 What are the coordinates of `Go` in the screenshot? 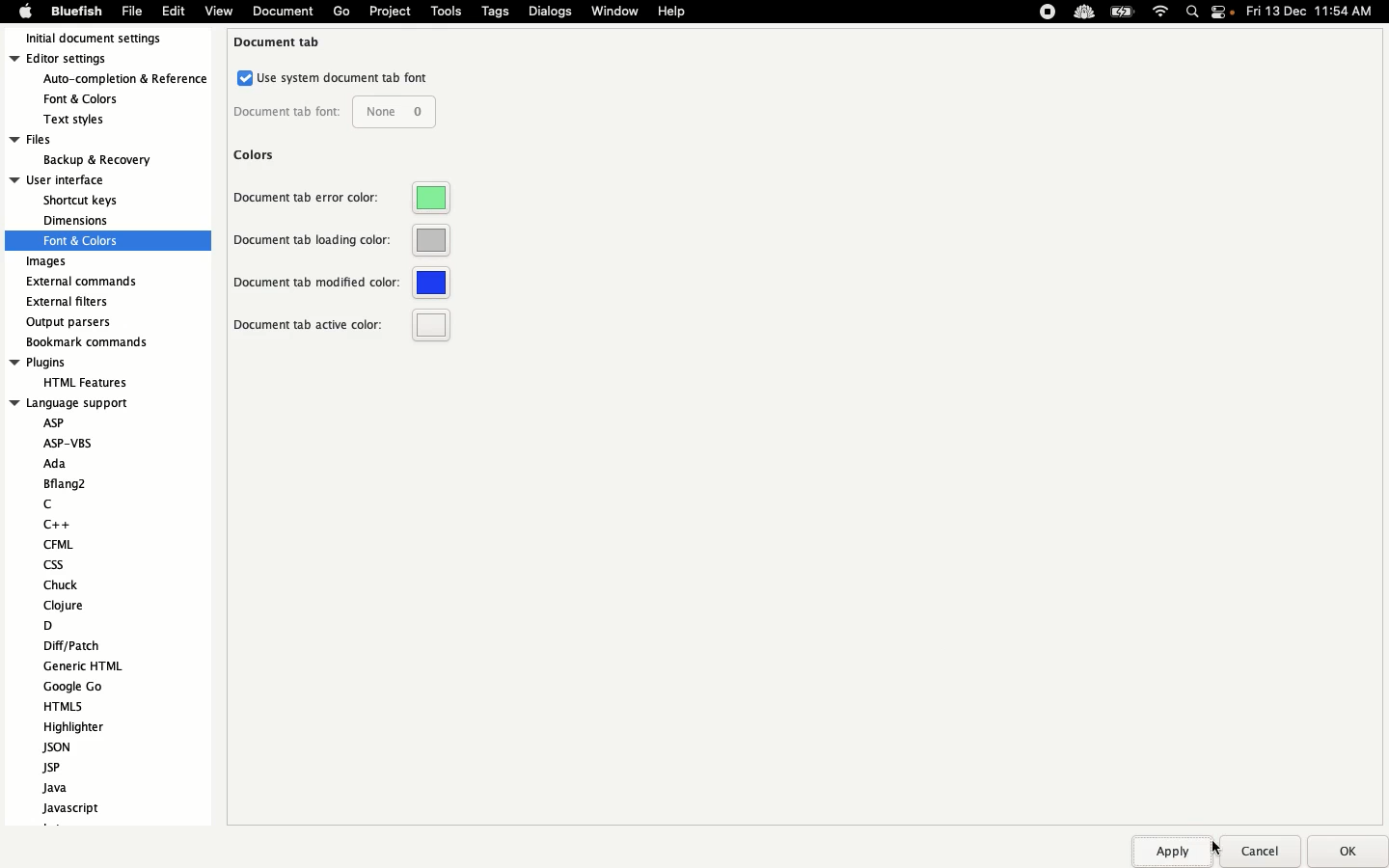 It's located at (341, 12).